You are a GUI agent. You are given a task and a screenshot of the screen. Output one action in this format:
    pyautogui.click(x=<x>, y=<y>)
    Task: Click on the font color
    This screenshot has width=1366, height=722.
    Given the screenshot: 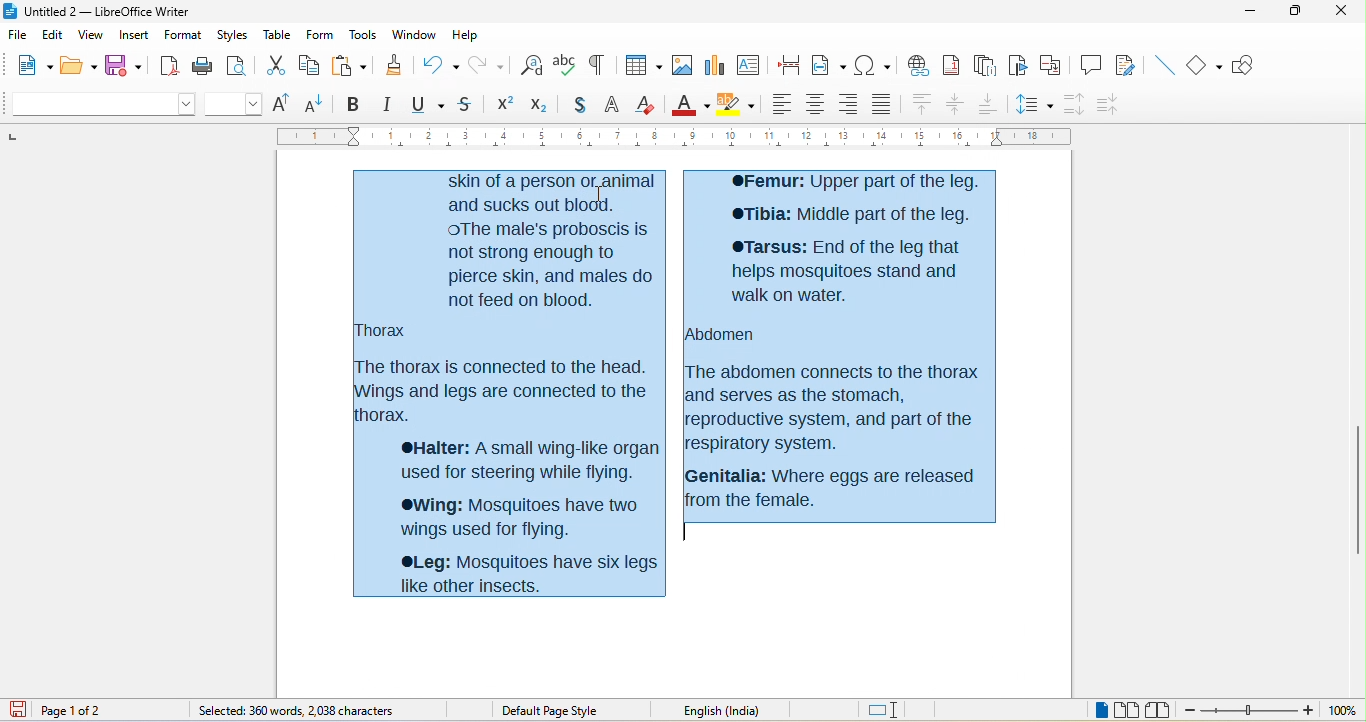 What is the action you would take?
    pyautogui.click(x=689, y=102)
    